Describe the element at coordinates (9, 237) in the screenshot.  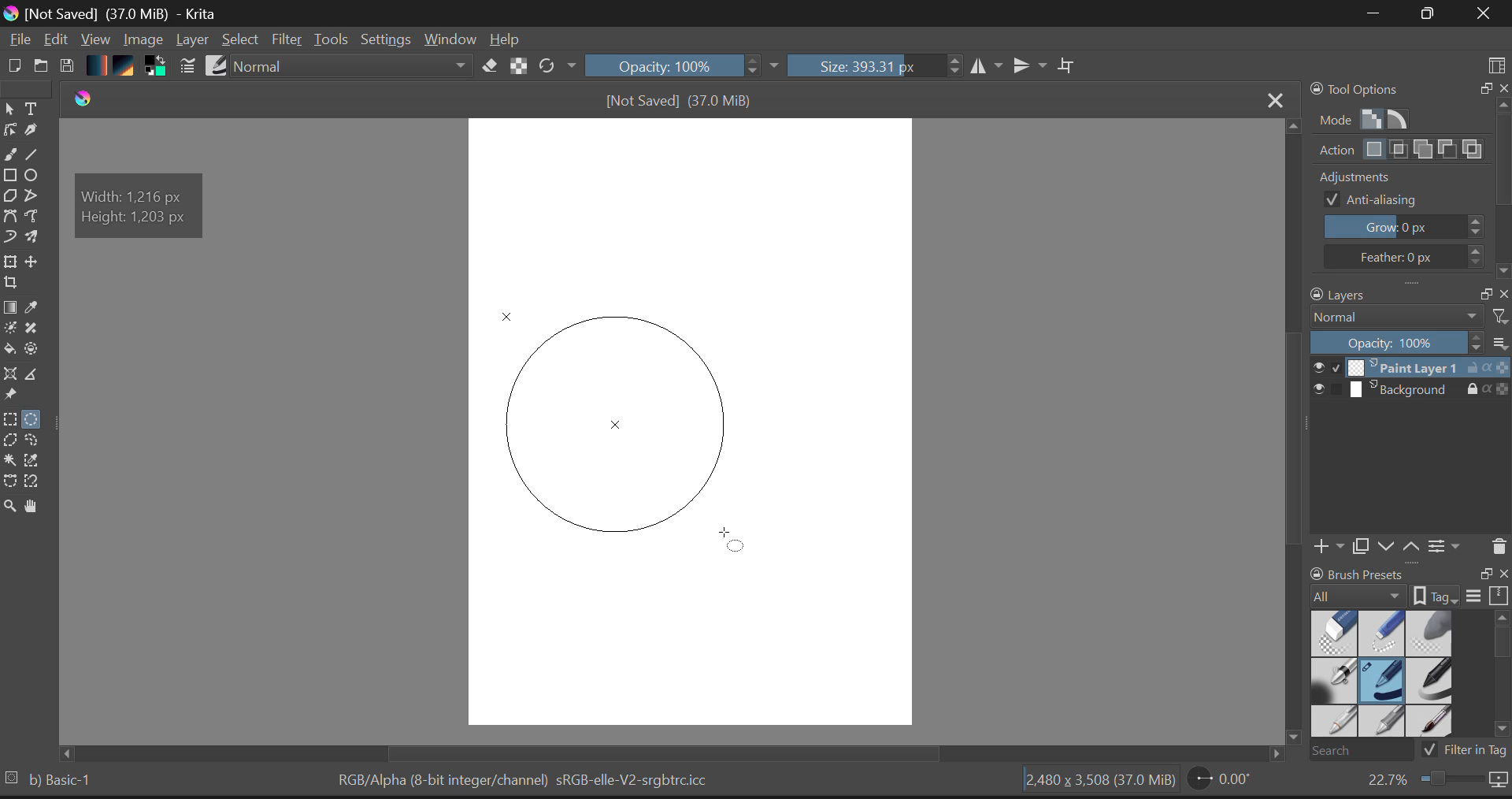
I see `Dynamic Brush Tool` at that location.